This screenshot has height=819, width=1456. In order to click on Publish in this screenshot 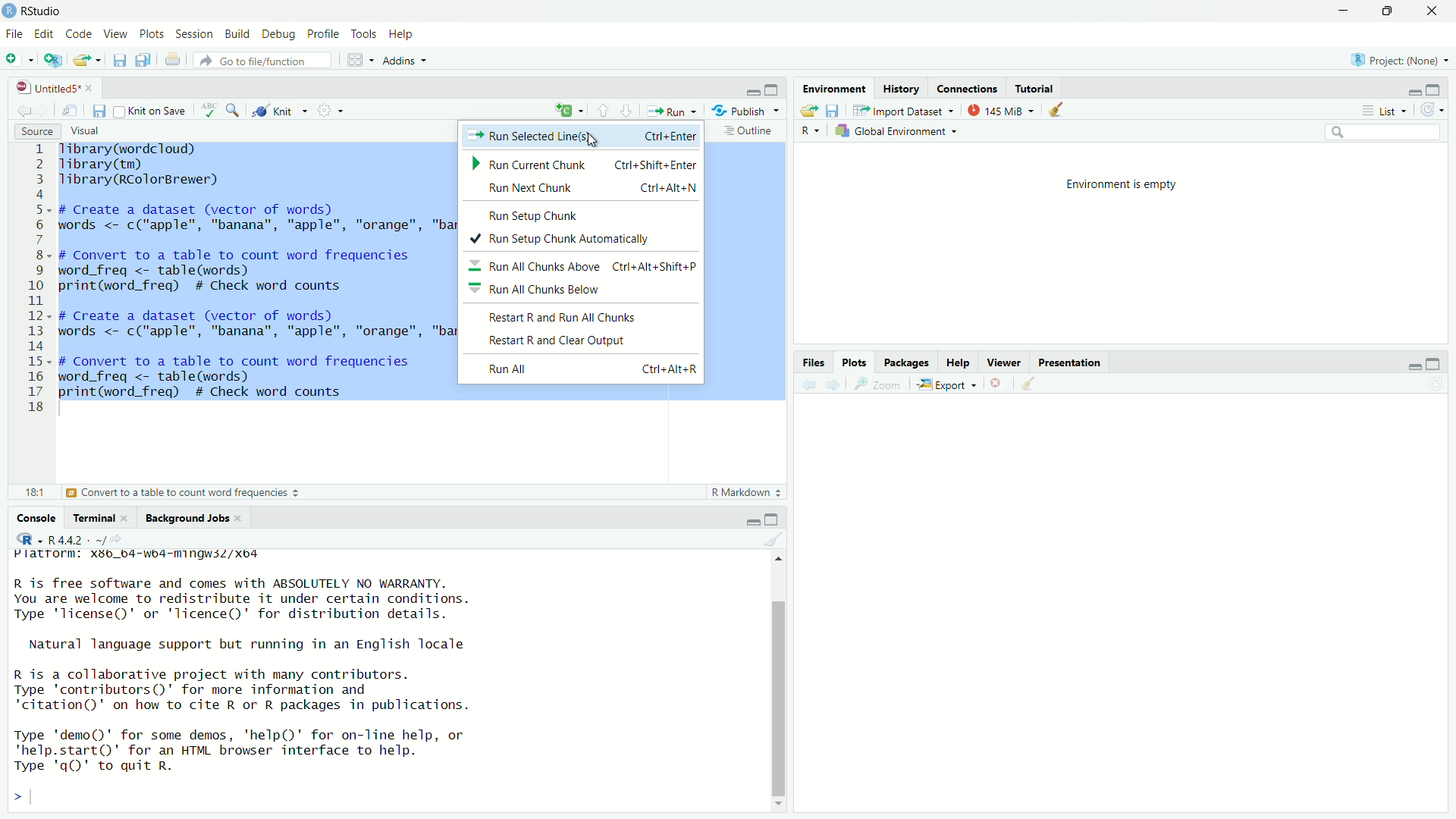, I will do `click(746, 112)`.